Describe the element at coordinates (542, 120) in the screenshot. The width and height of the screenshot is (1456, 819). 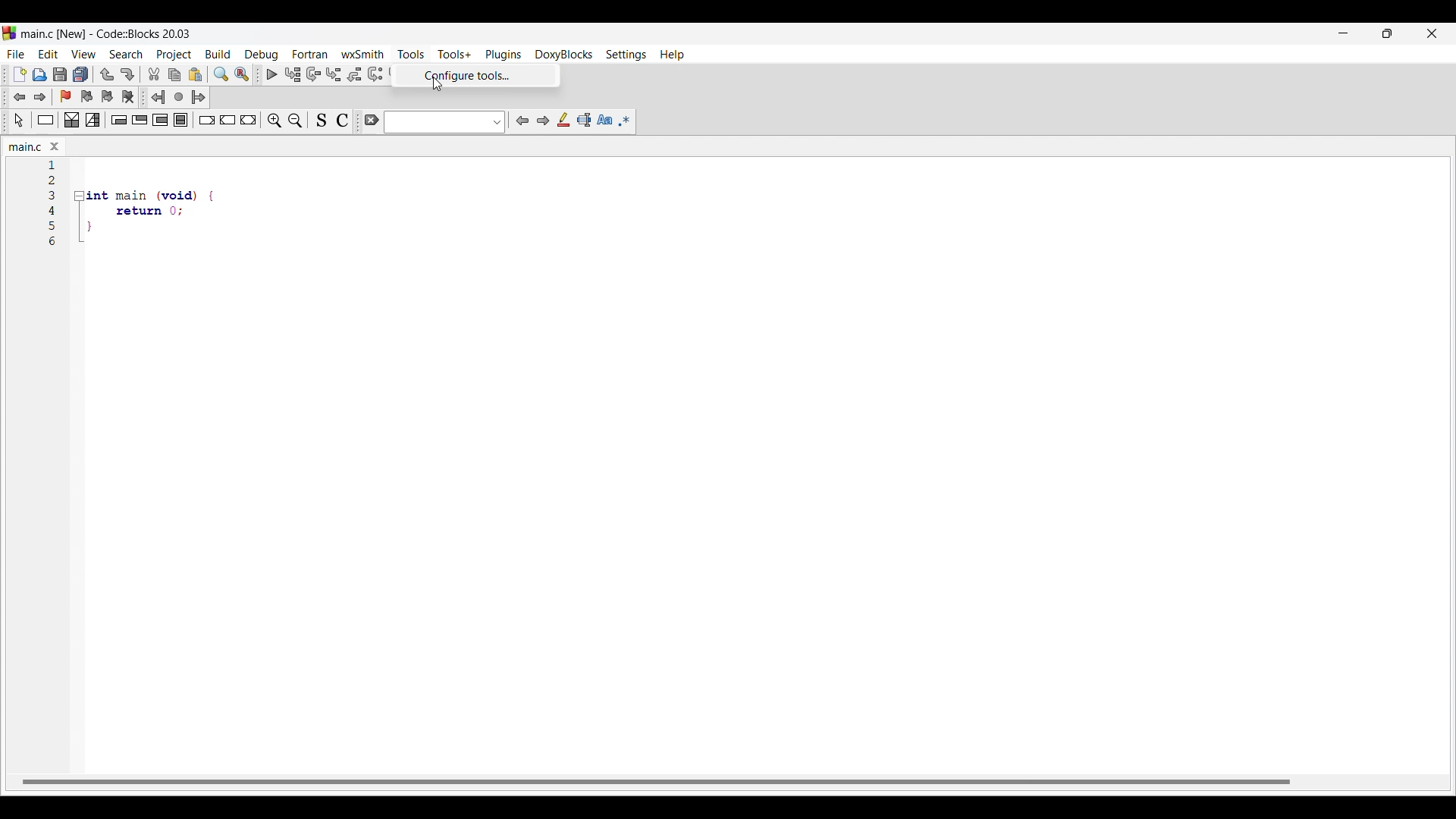
I see `Next` at that location.